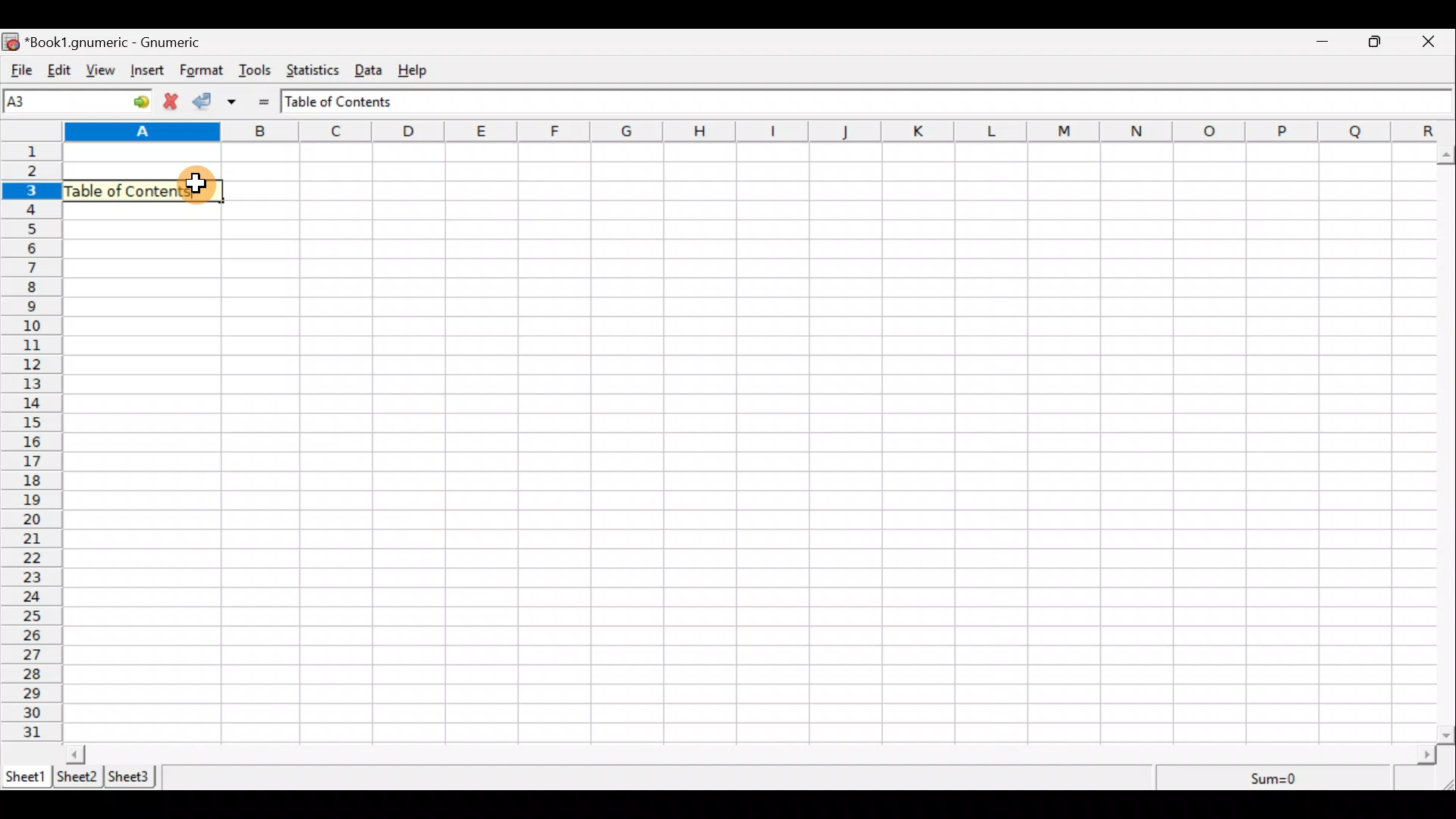 The width and height of the screenshot is (1456, 819). What do you see at coordinates (754, 131) in the screenshot?
I see `alphabets row` at bounding box center [754, 131].